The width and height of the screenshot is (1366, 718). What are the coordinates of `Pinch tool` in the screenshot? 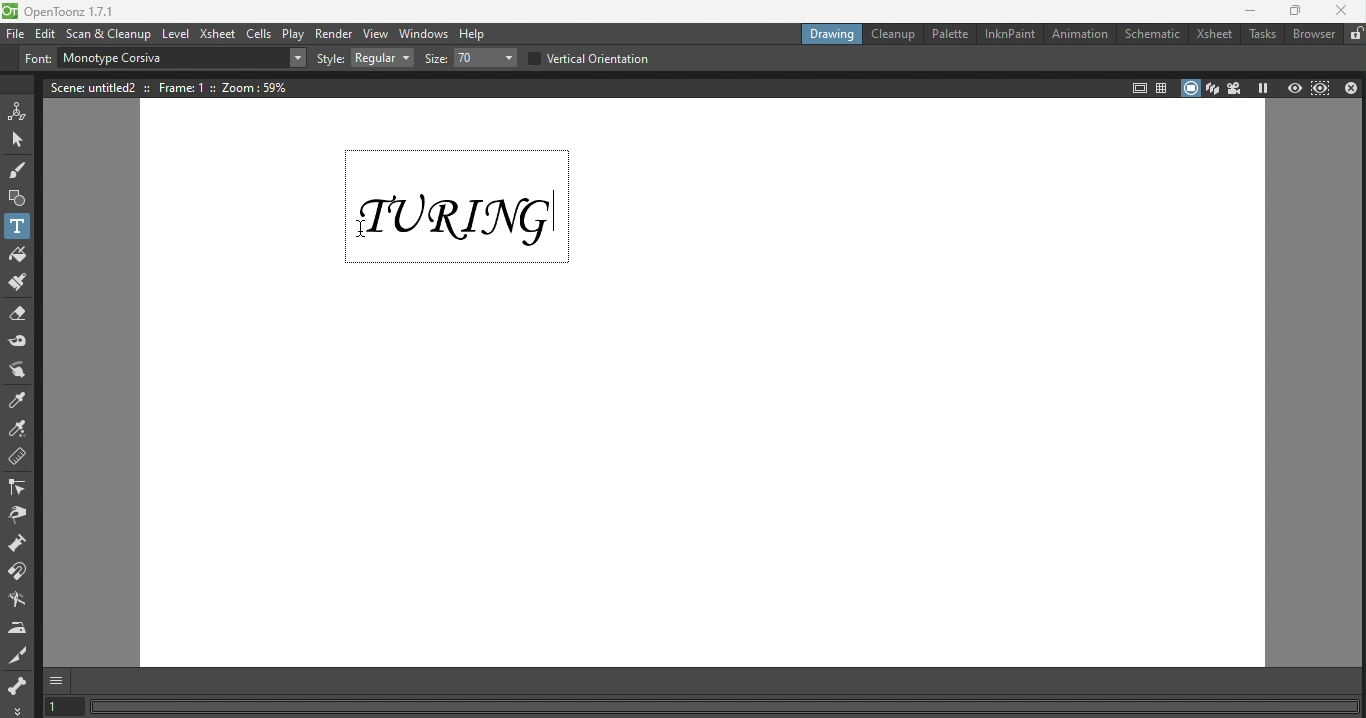 It's located at (17, 516).